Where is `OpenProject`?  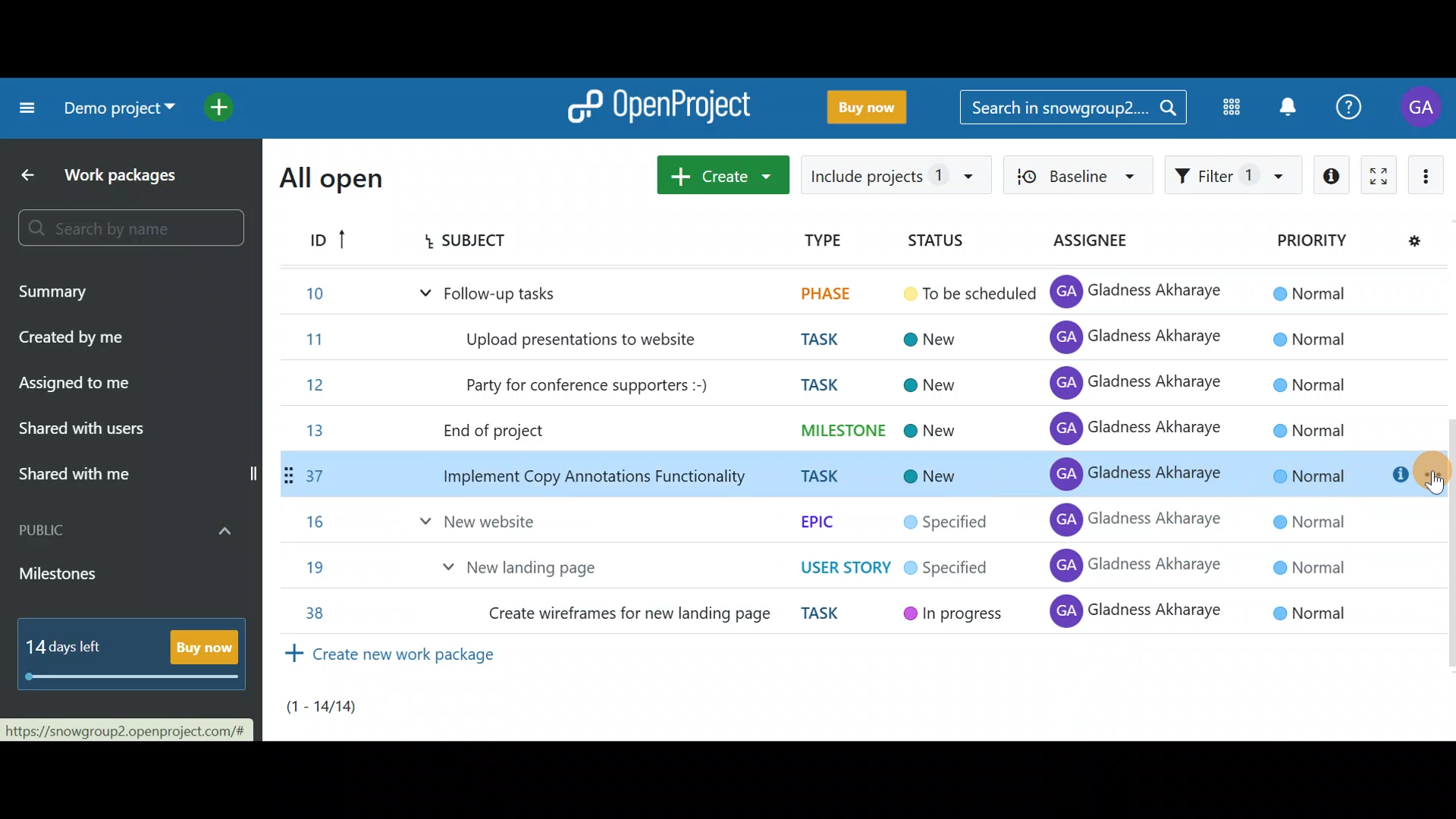 OpenProject is located at coordinates (656, 105).